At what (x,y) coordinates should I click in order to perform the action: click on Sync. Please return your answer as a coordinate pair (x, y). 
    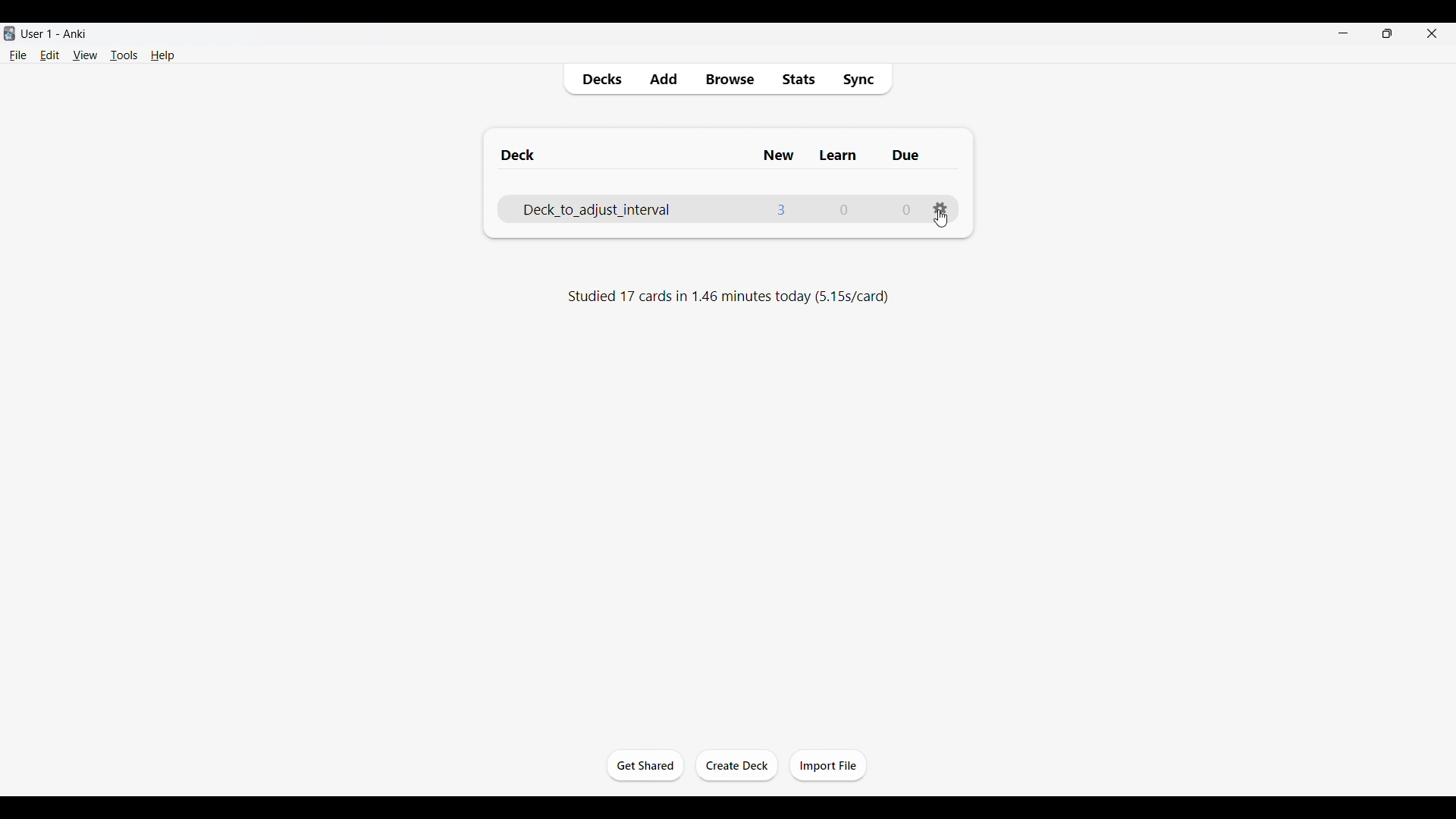
    Looking at the image, I should click on (862, 78).